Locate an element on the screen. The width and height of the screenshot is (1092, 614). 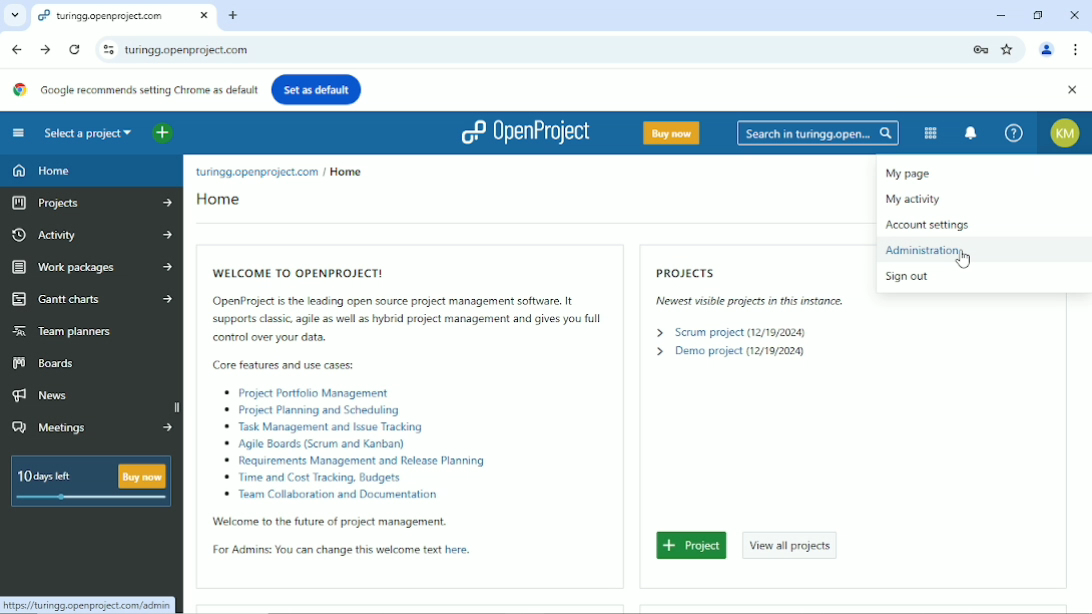
Newest visible projects in this instance. is located at coordinates (745, 301).